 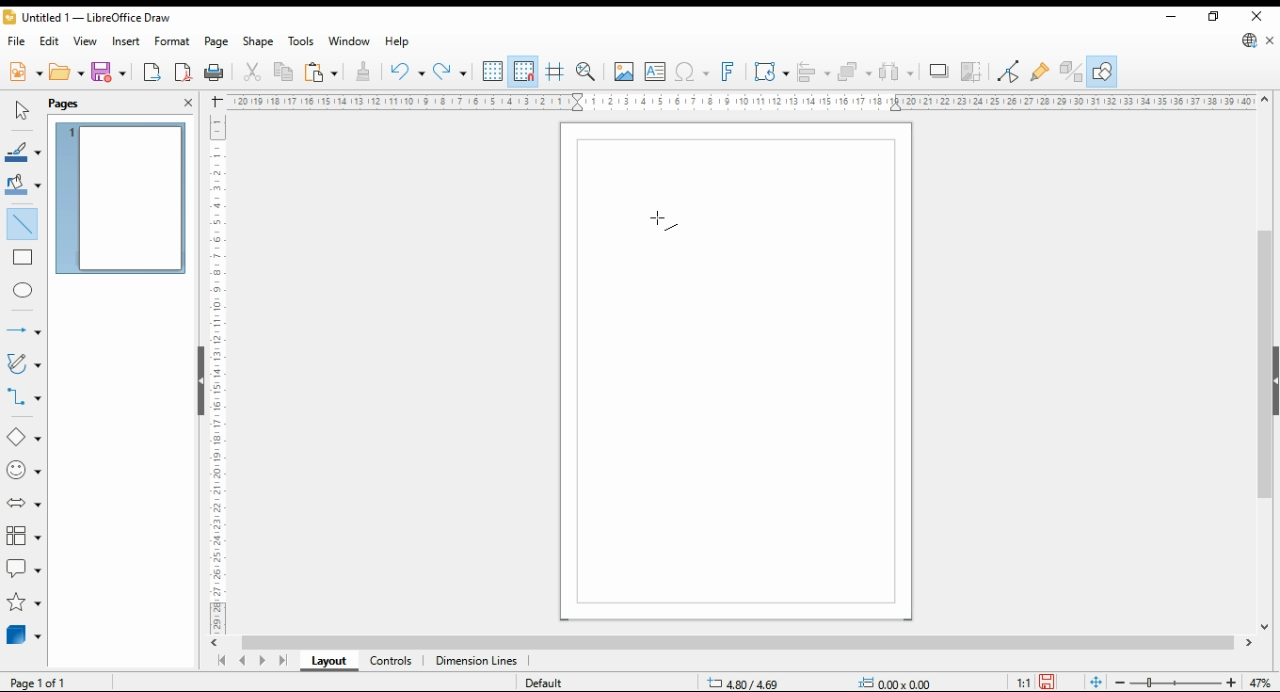 What do you see at coordinates (187, 101) in the screenshot?
I see `close pane` at bounding box center [187, 101].